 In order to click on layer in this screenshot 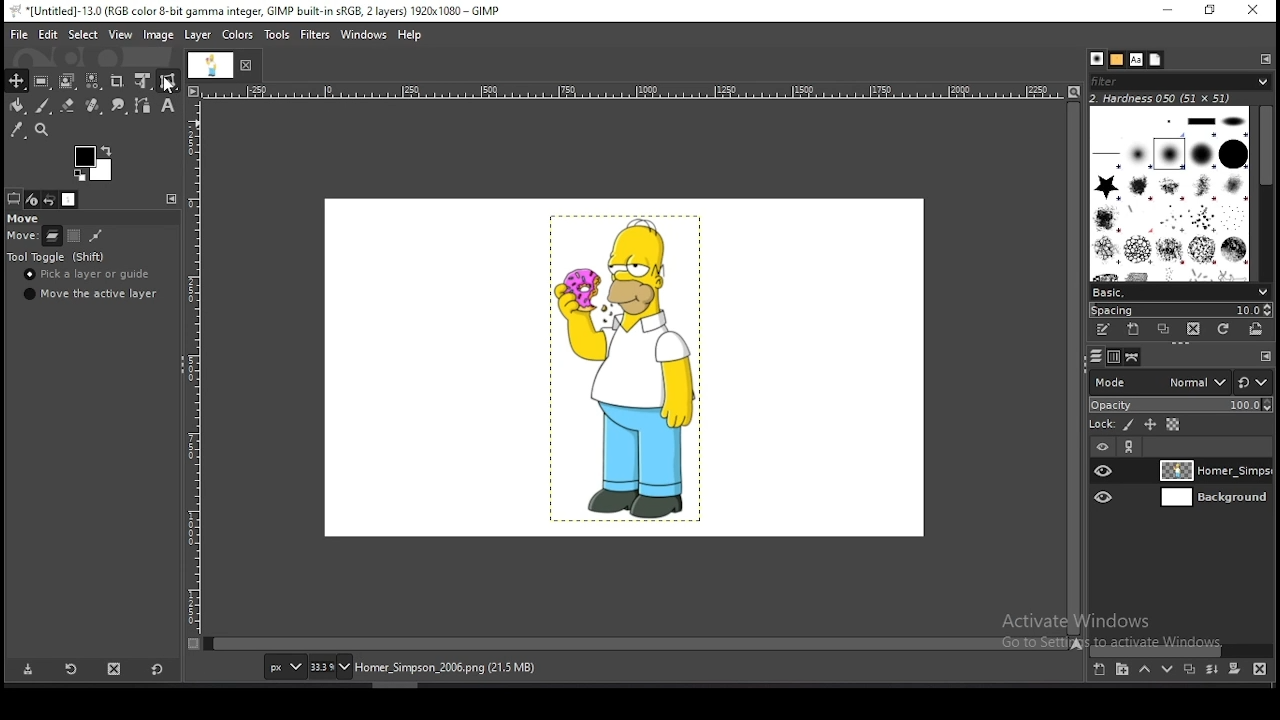, I will do `click(1211, 499)`.